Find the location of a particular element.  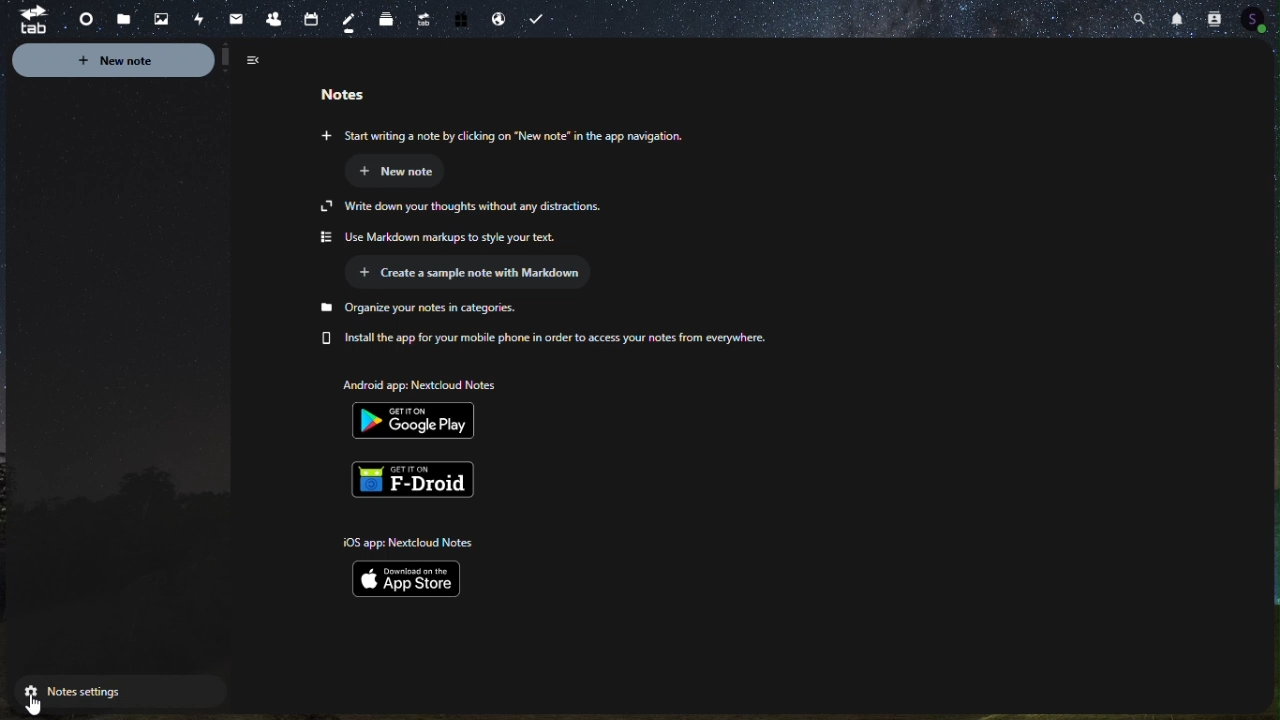

pictures  is located at coordinates (157, 17).